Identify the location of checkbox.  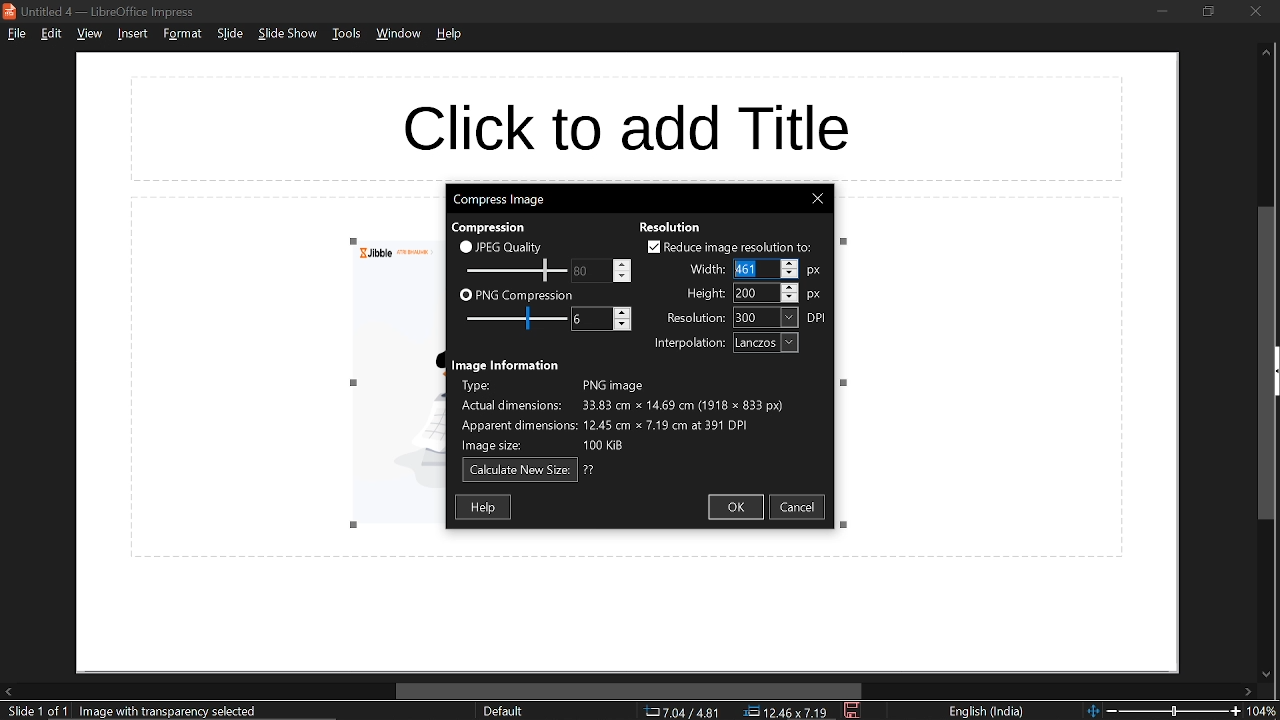
(465, 246).